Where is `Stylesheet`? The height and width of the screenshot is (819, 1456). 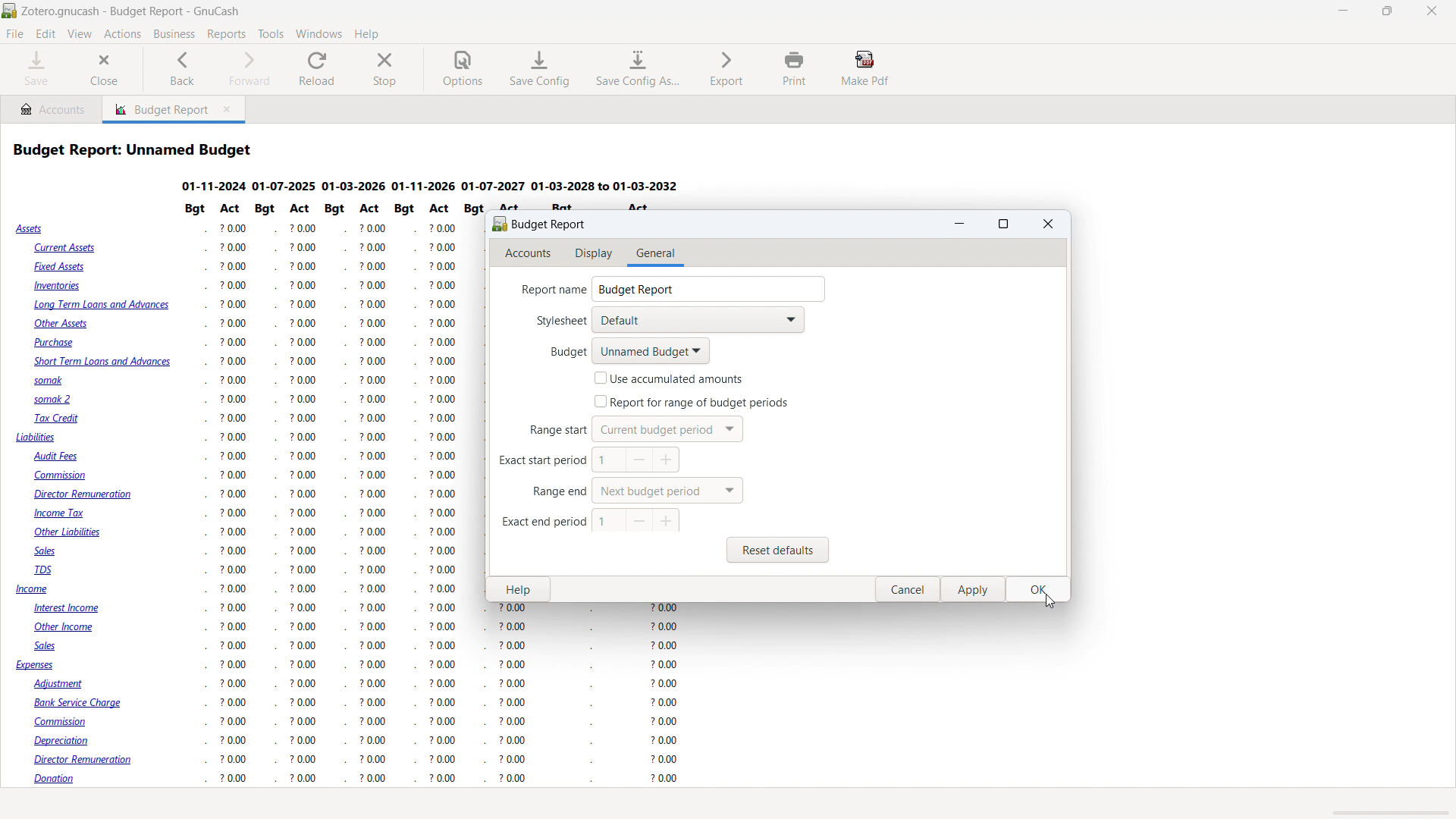
Stylesheet is located at coordinates (550, 322).